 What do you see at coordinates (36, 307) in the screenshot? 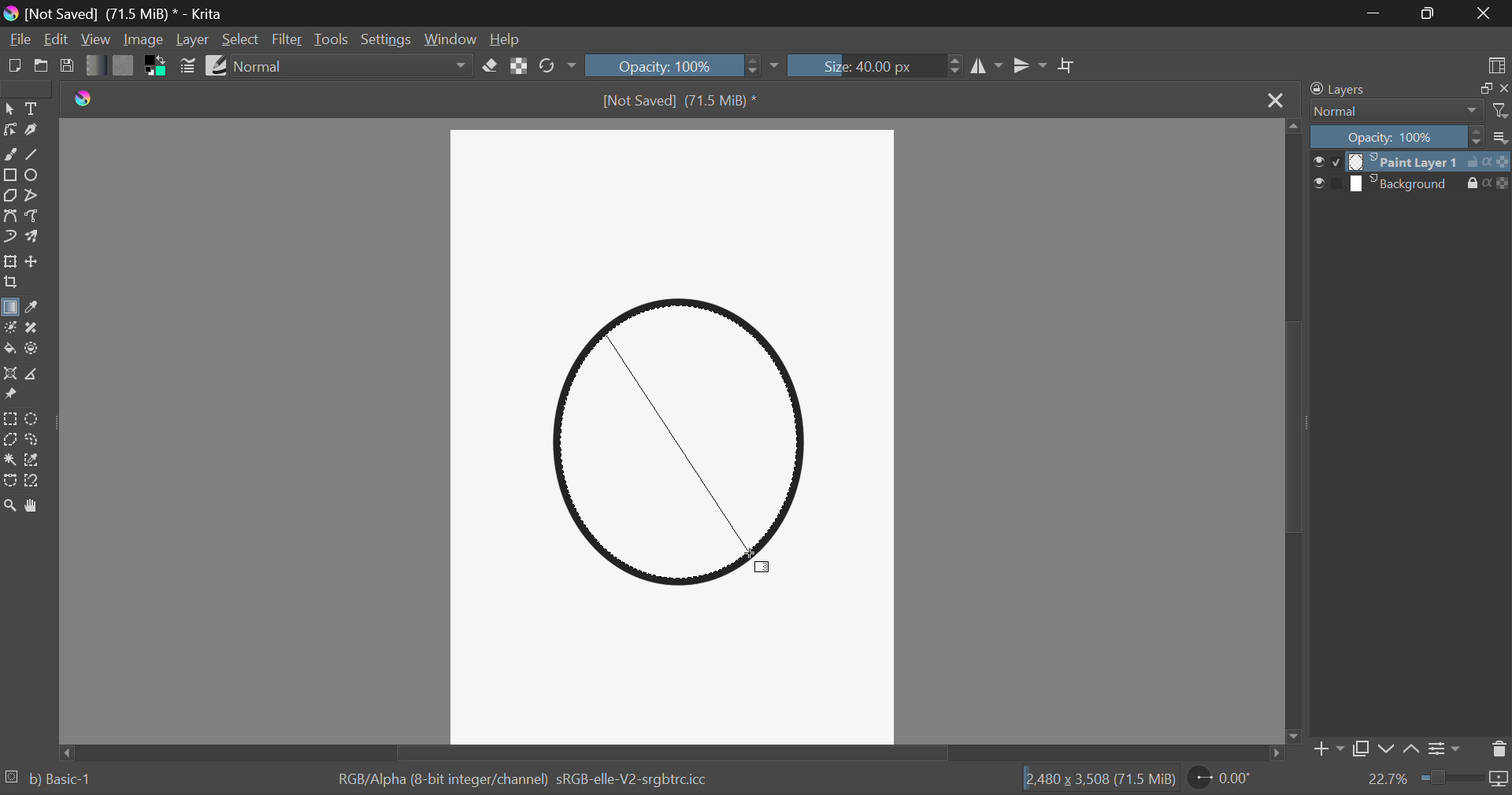
I see `Eyedropper` at bounding box center [36, 307].